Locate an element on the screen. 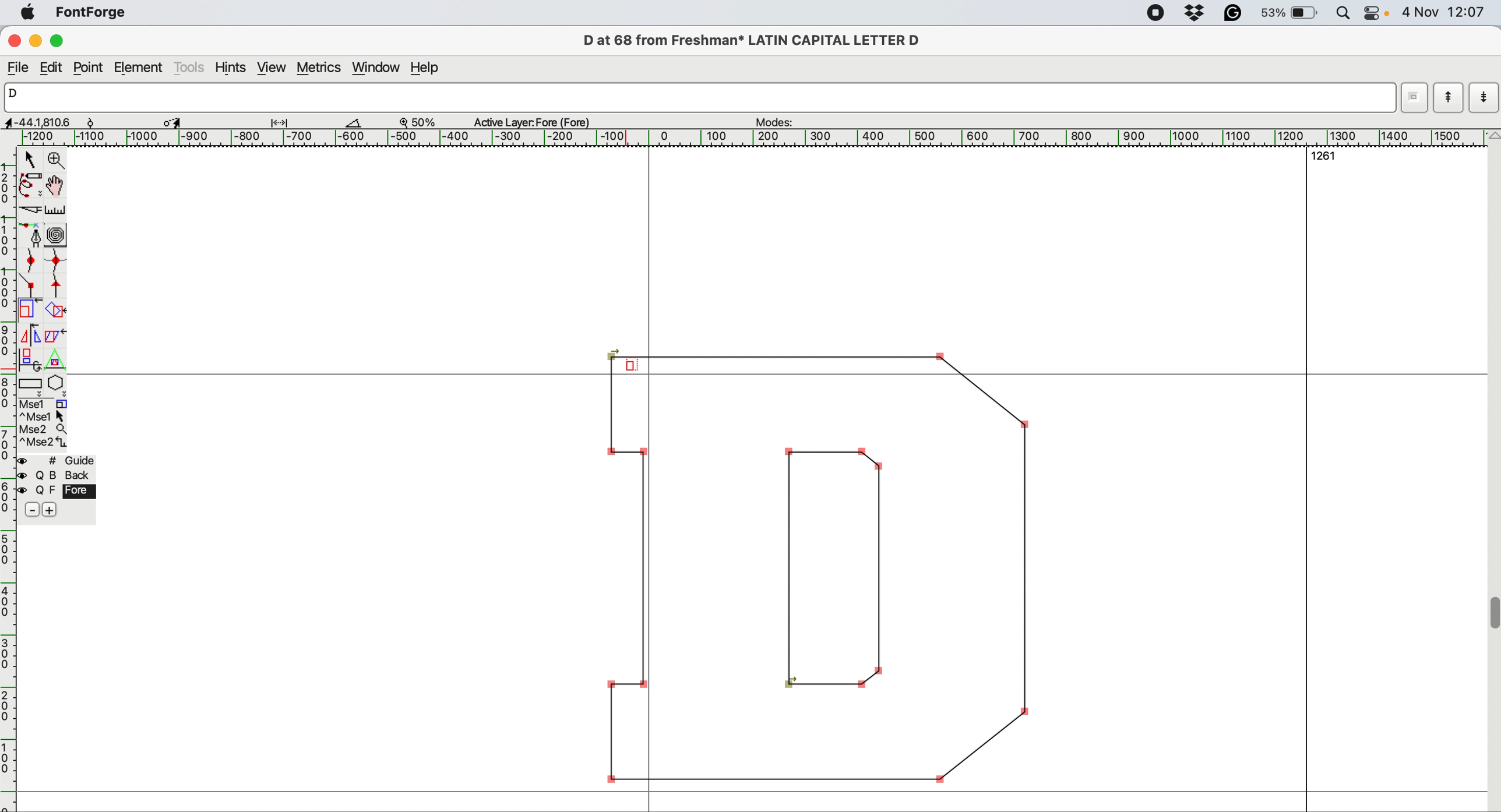  rotate selection in 3d is located at coordinates (28, 359).